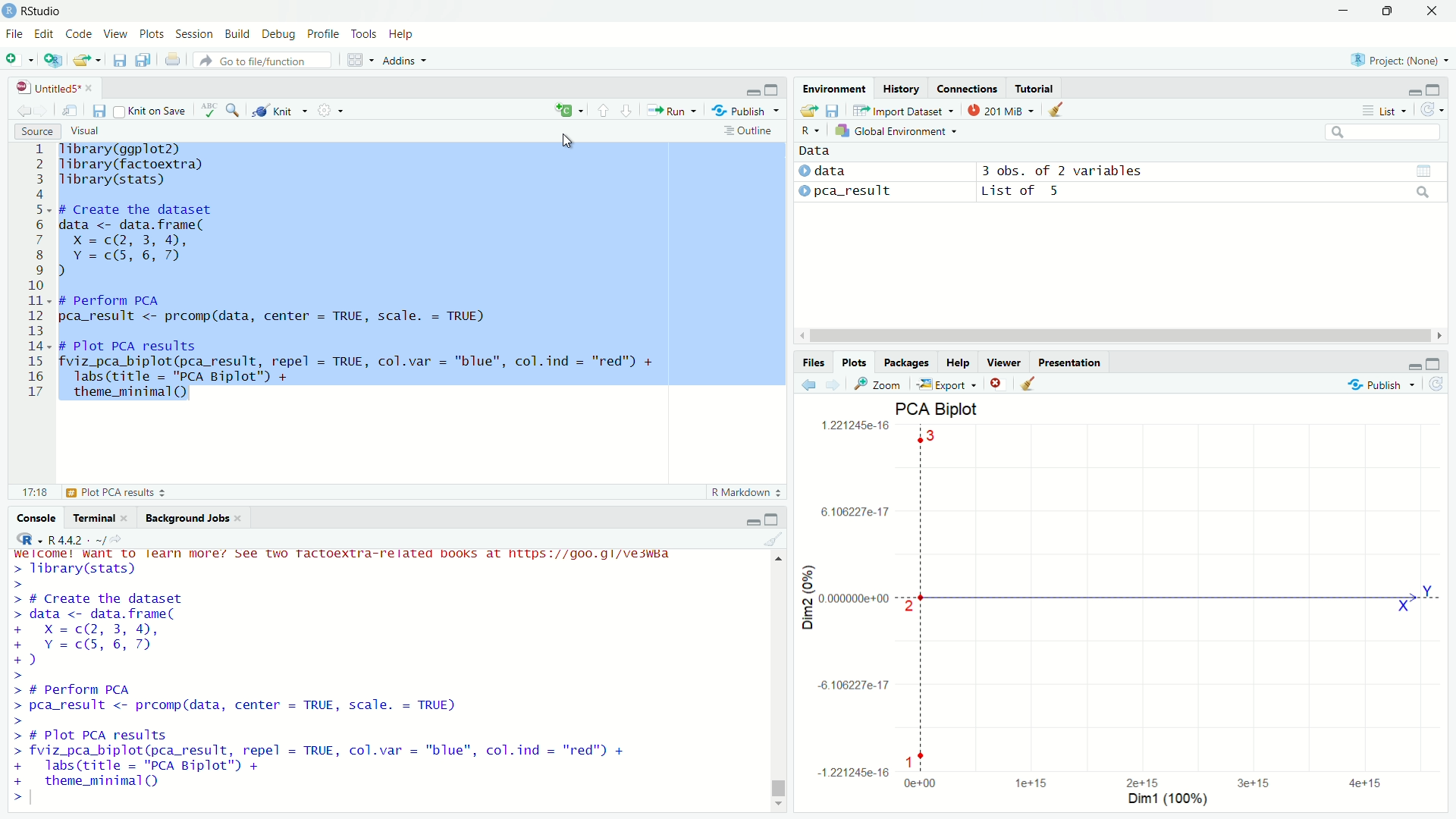  Describe the element at coordinates (849, 193) in the screenshot. I see `pca result` at that location.